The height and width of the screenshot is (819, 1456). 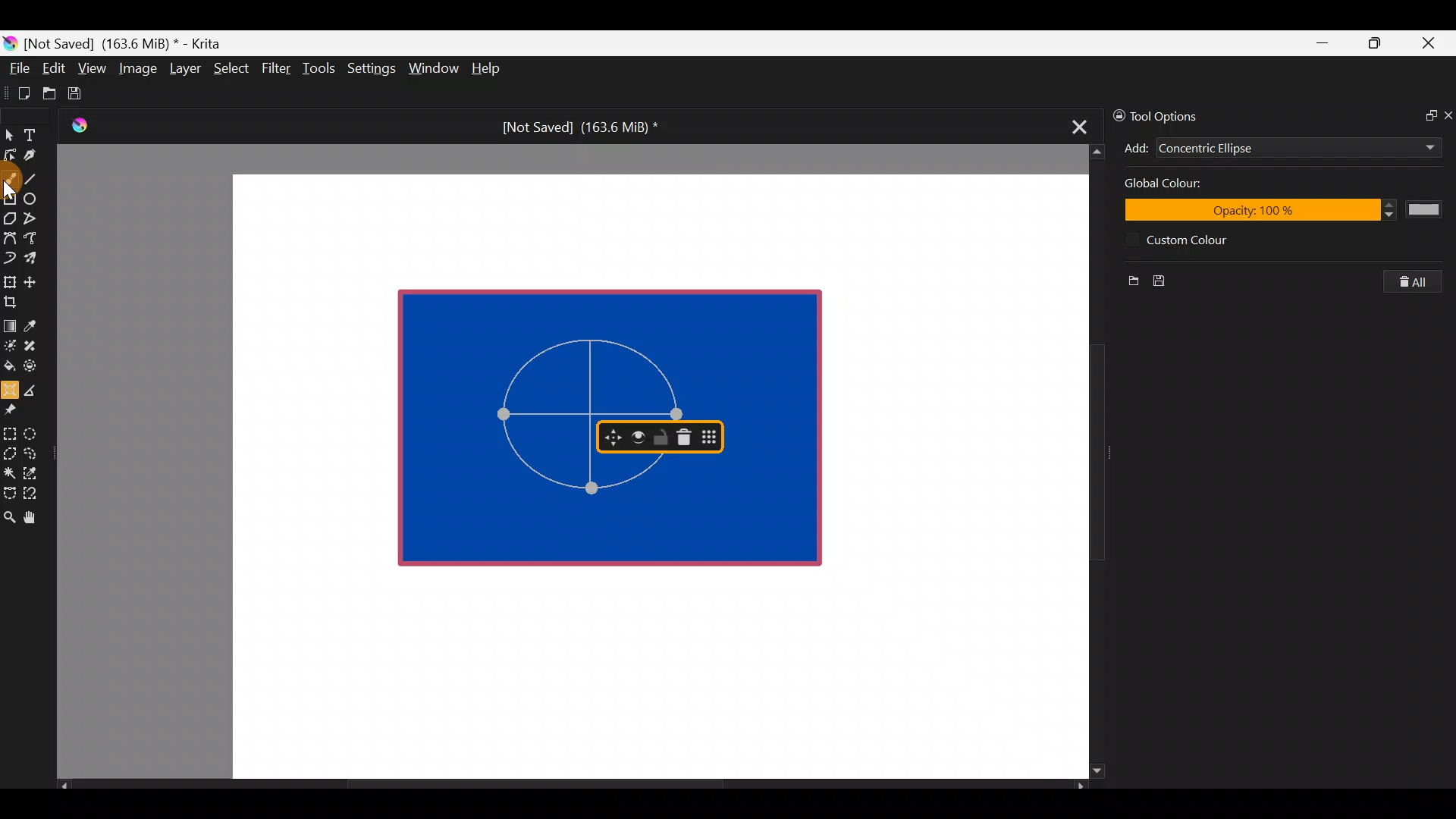 I want to click on Fill a contiguous area of colour with colour/fill a selection, so click(x=9, y=362).